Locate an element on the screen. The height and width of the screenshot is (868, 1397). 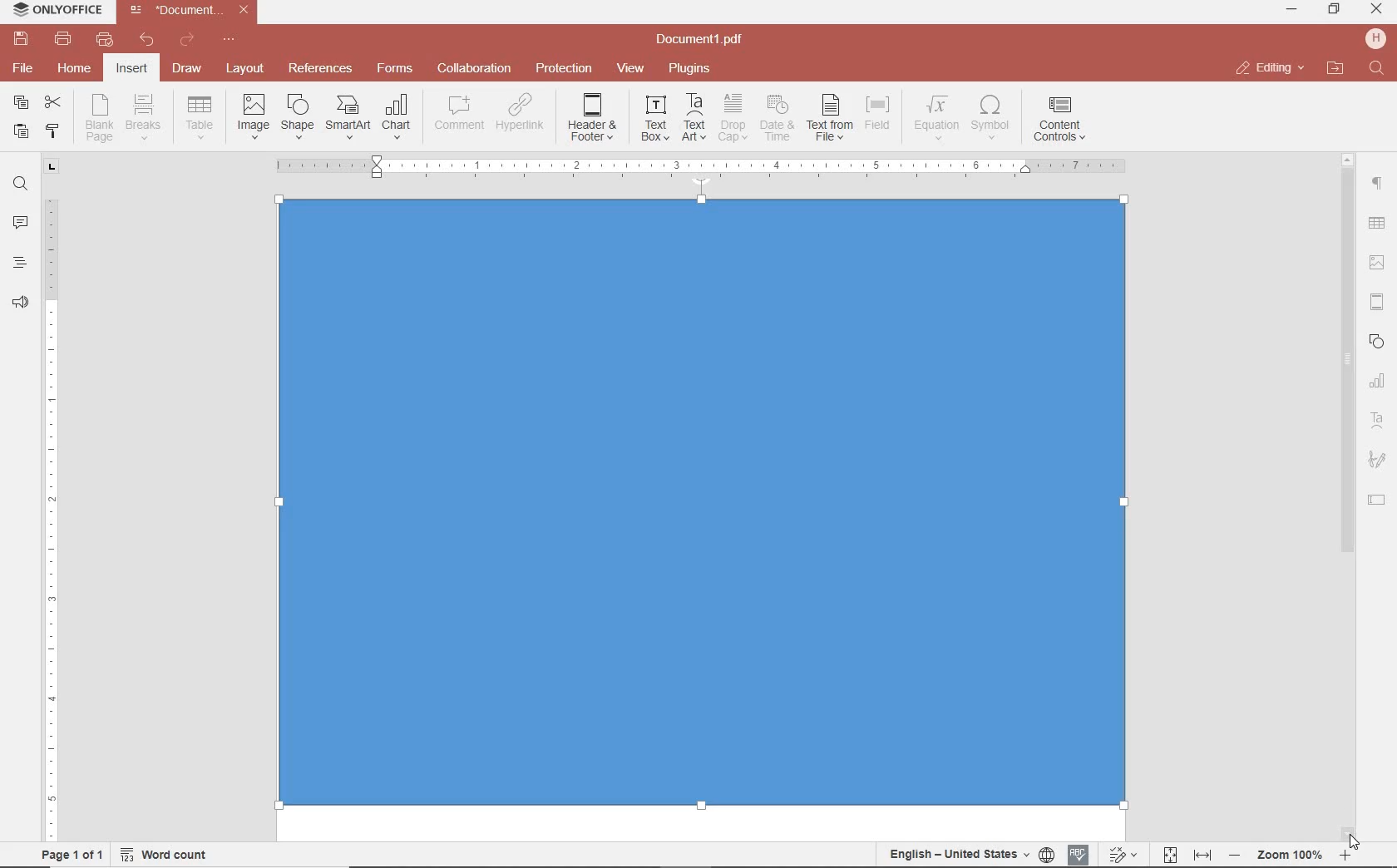
file name is located at coordinates (704, 40).